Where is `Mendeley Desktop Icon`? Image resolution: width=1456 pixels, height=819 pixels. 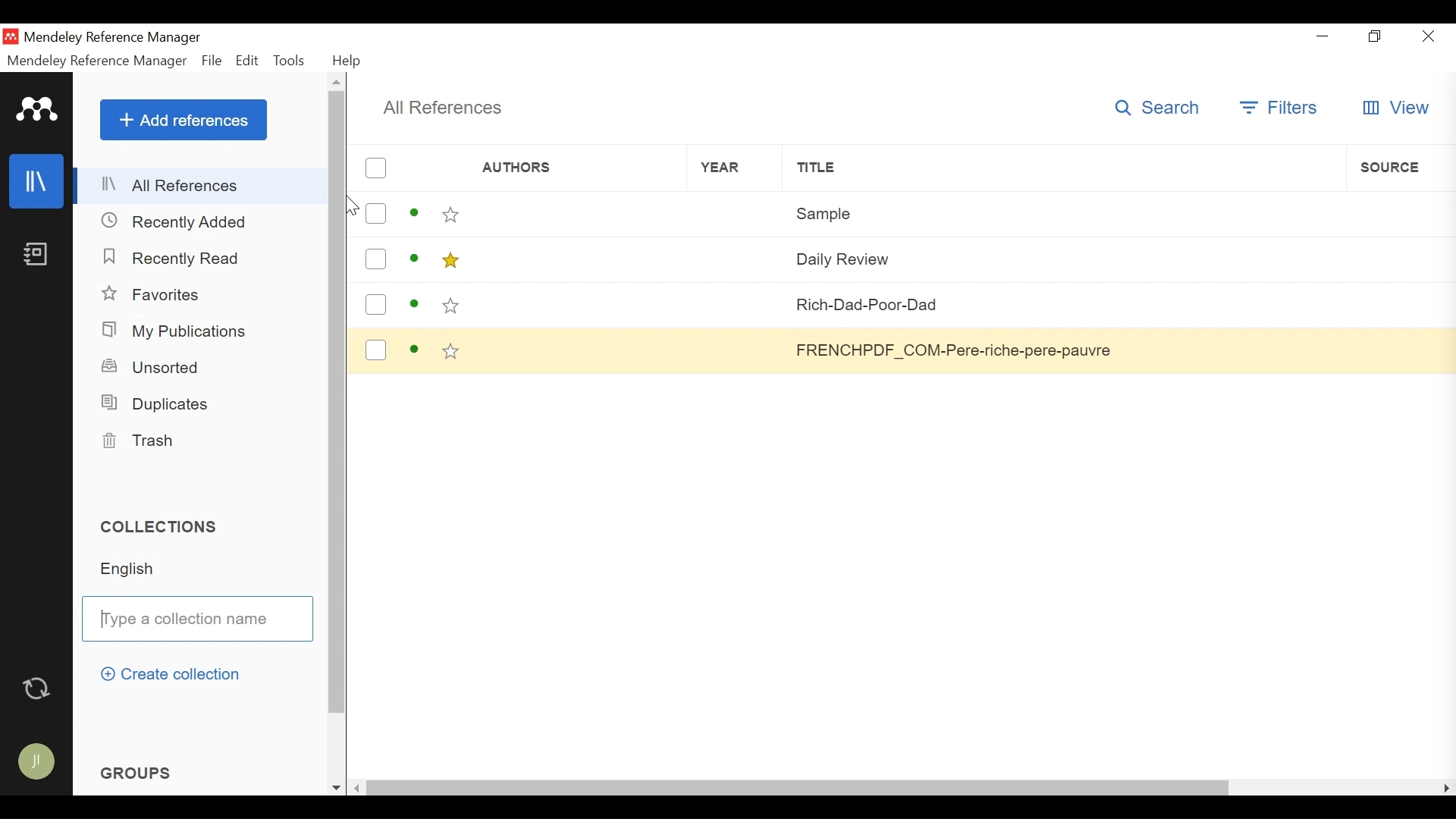 Mendeley Desktop Icon is located at coordinates (12, 36).